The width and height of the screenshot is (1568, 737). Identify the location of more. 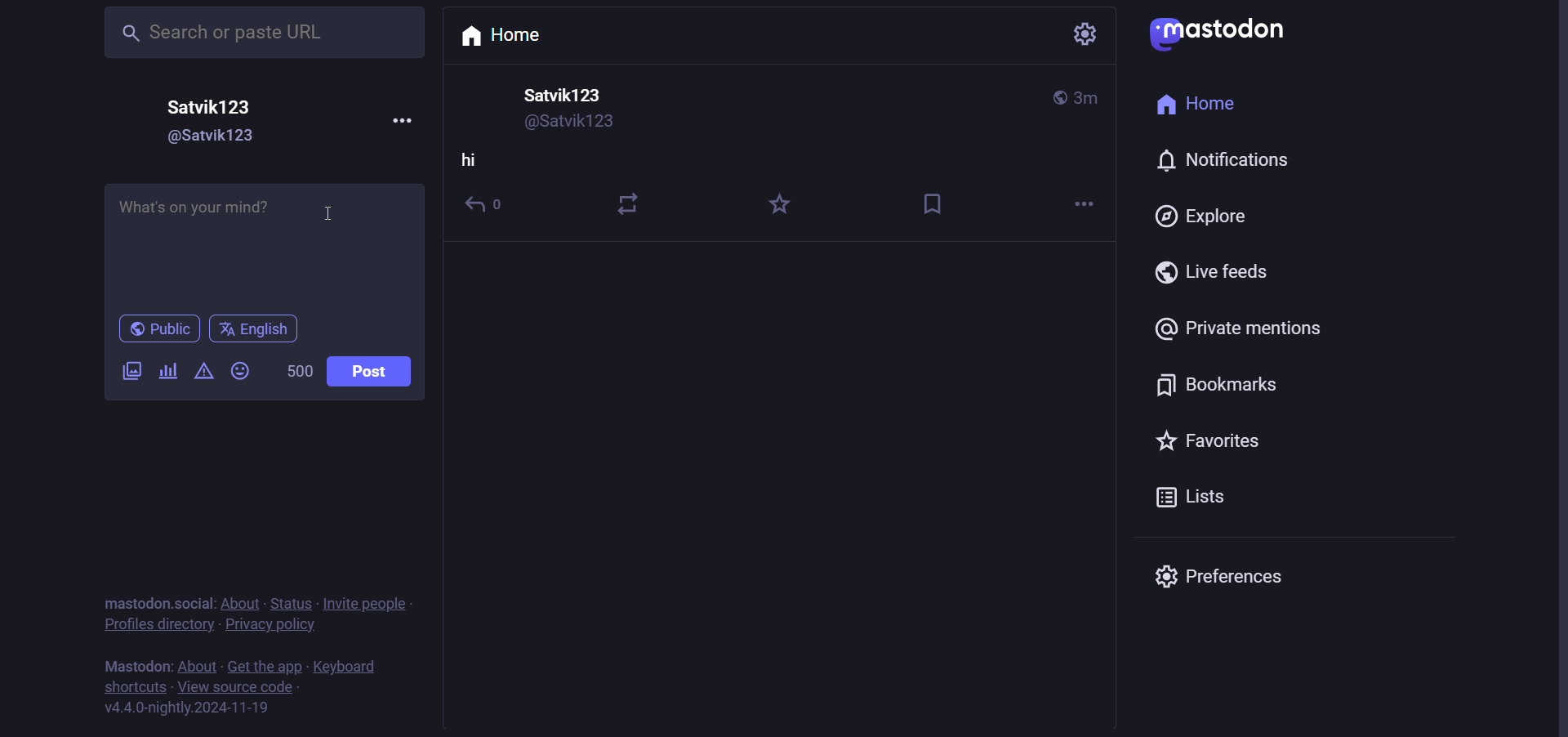
(1079, 205).